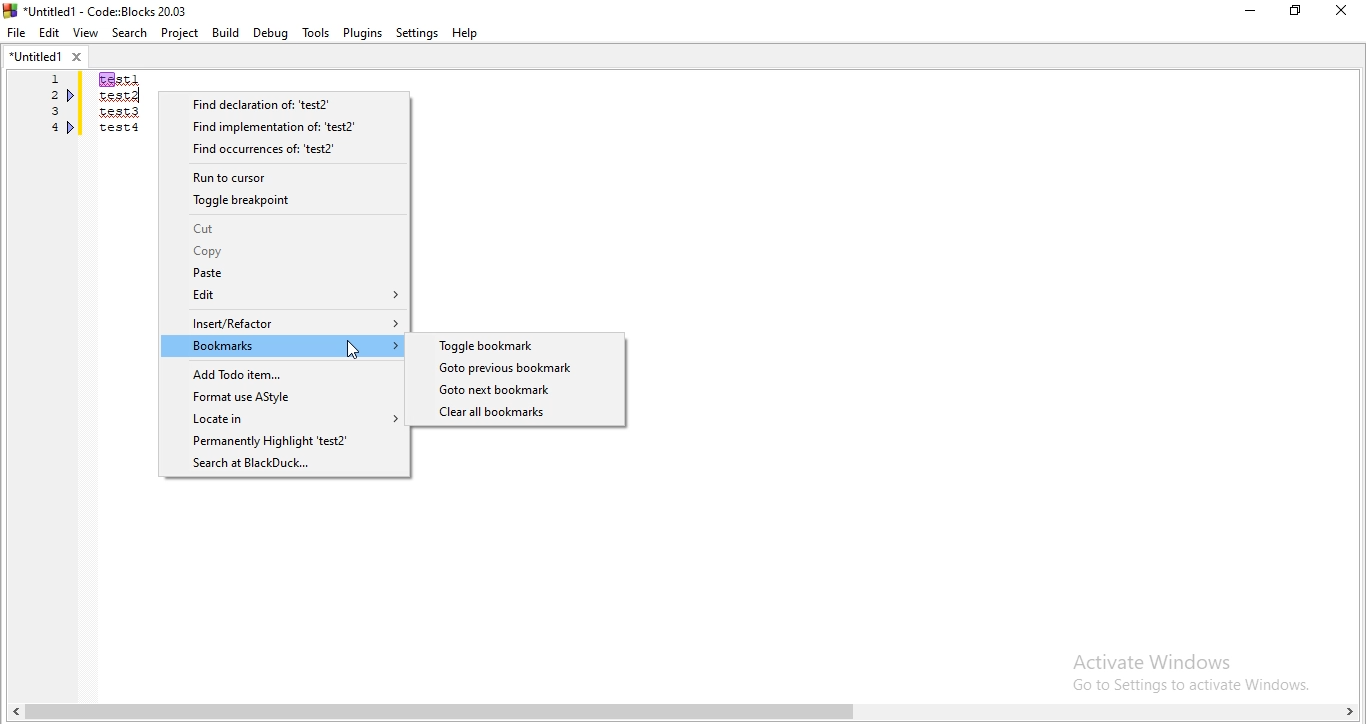  I want to click on Plugins , so click(362, 32).